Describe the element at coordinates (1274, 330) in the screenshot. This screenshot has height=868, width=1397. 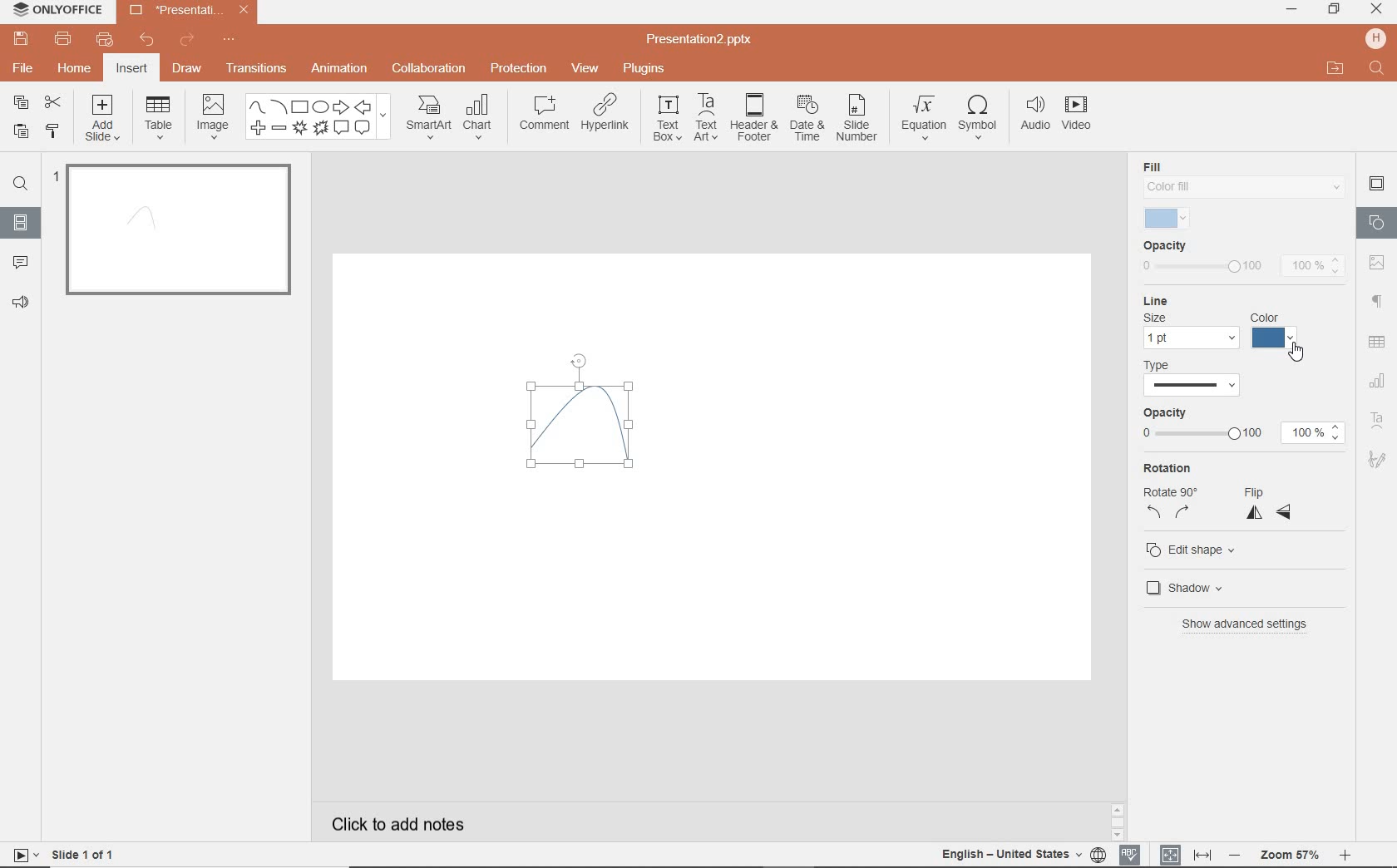
I see `color` at that location.